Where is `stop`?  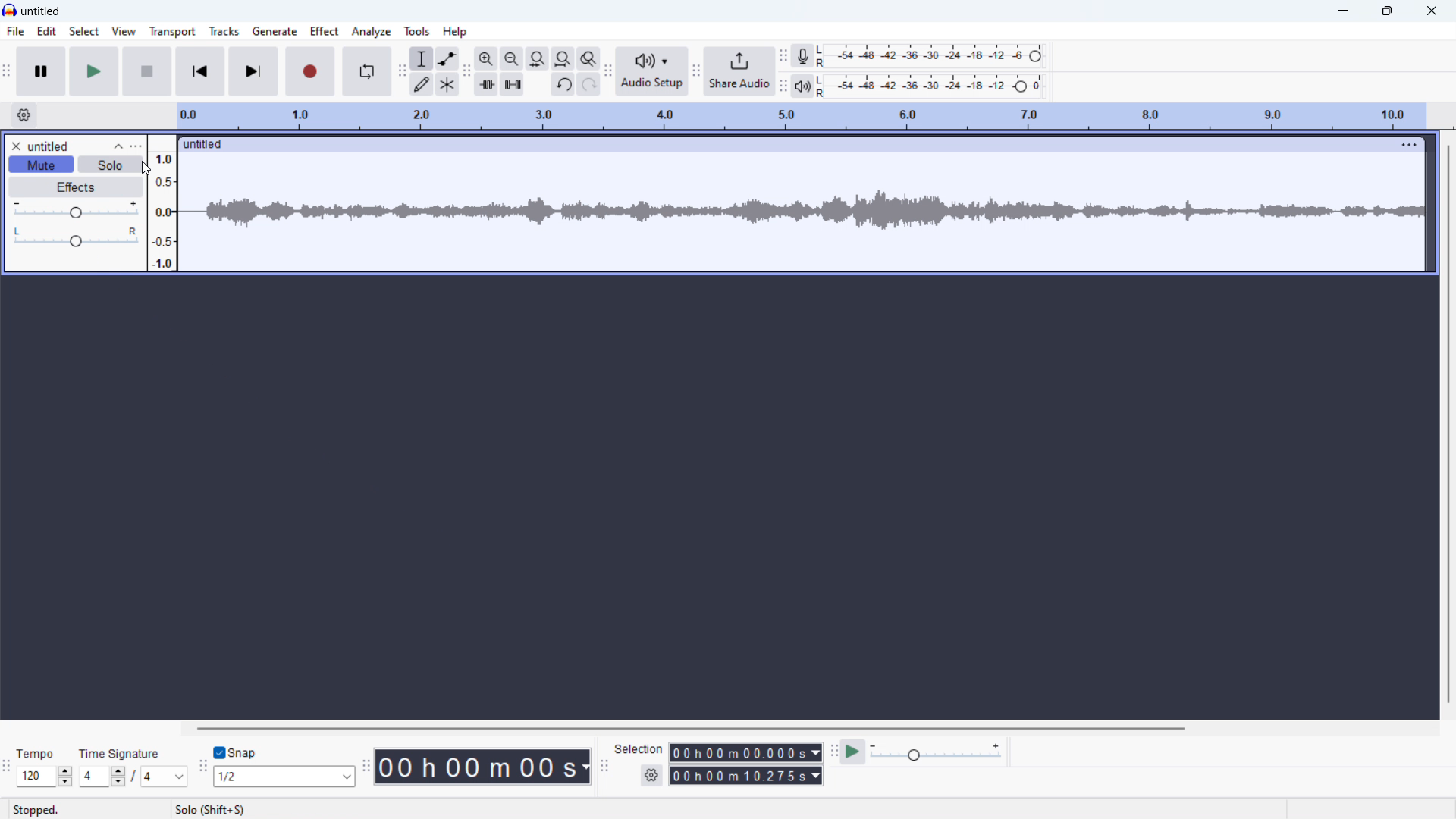
stop is located at coordinates (147, 71).